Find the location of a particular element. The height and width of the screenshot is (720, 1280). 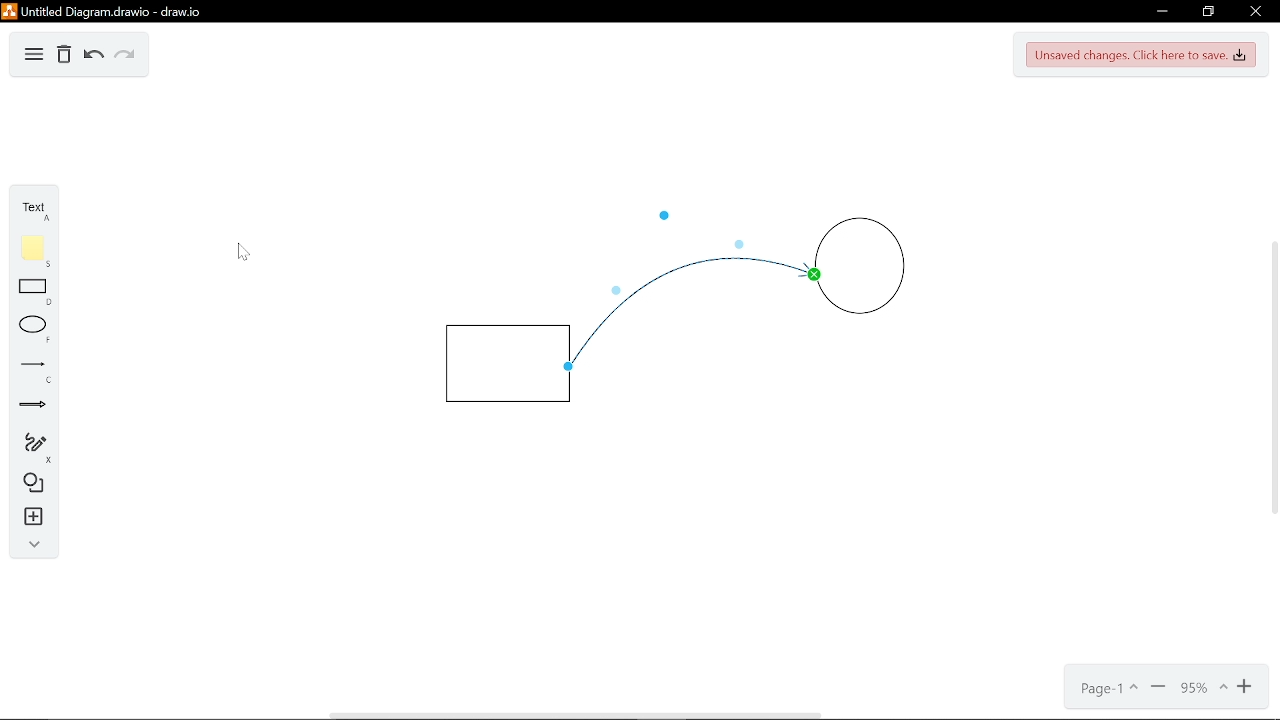

Flote is located at coordinates (30, 251).